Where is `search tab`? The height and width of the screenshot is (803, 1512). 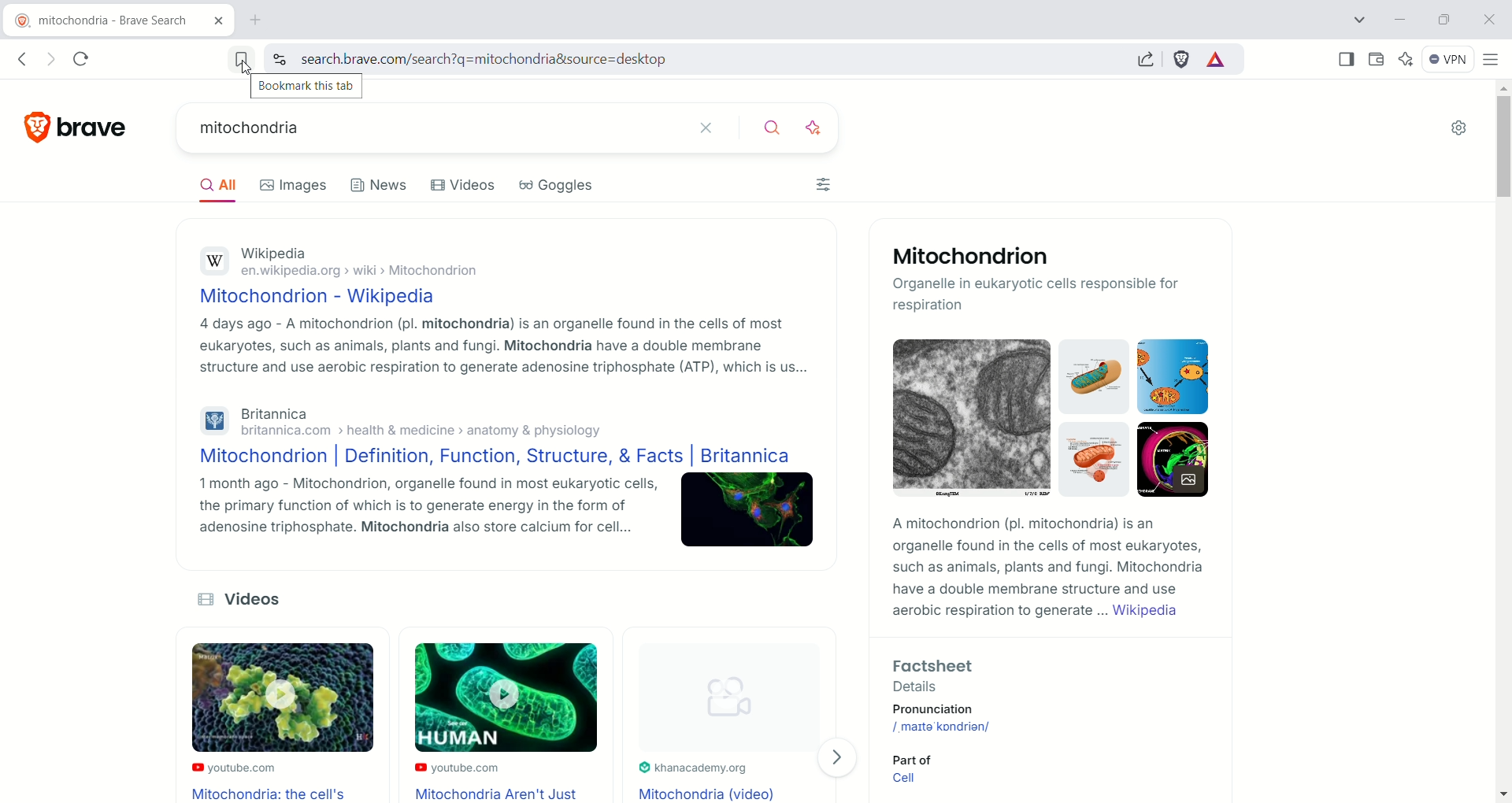
search tab is located at coordinates (1353, 22).